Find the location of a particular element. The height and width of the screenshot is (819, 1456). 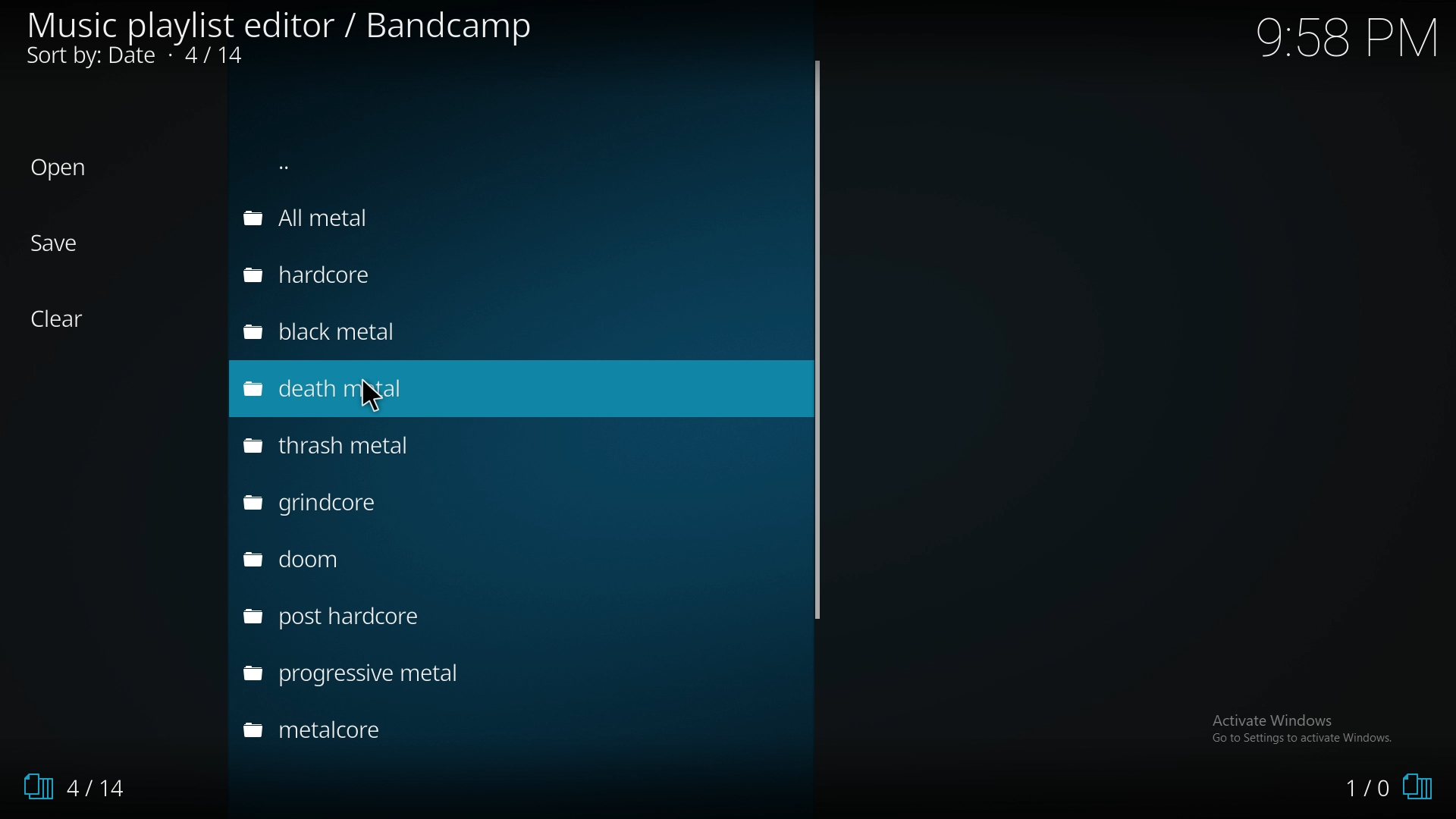

Sort by: Date • 4/14 is located at coordinates (149, 58).